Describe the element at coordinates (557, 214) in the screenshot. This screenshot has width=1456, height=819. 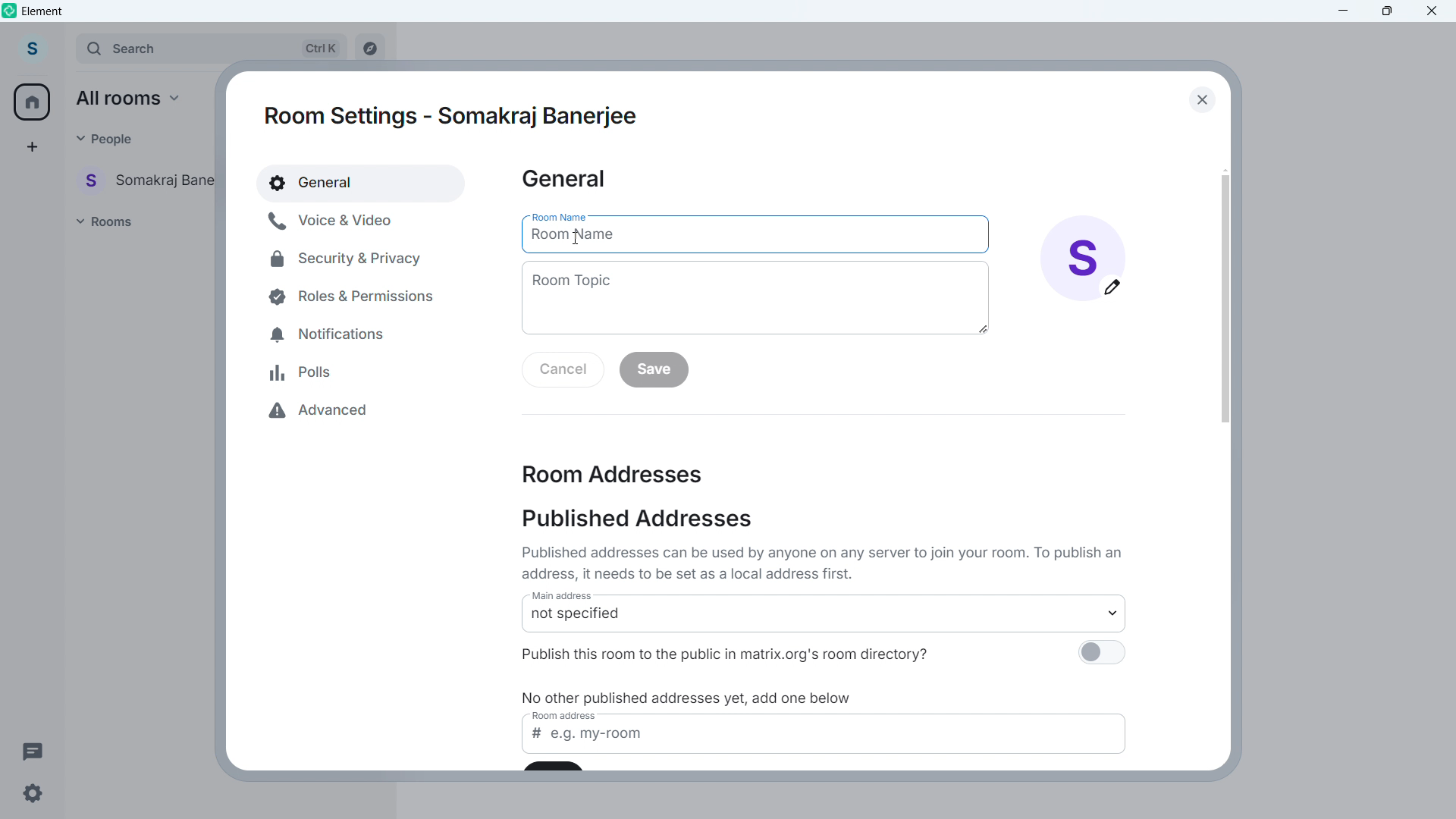
I see `room name` at that location.